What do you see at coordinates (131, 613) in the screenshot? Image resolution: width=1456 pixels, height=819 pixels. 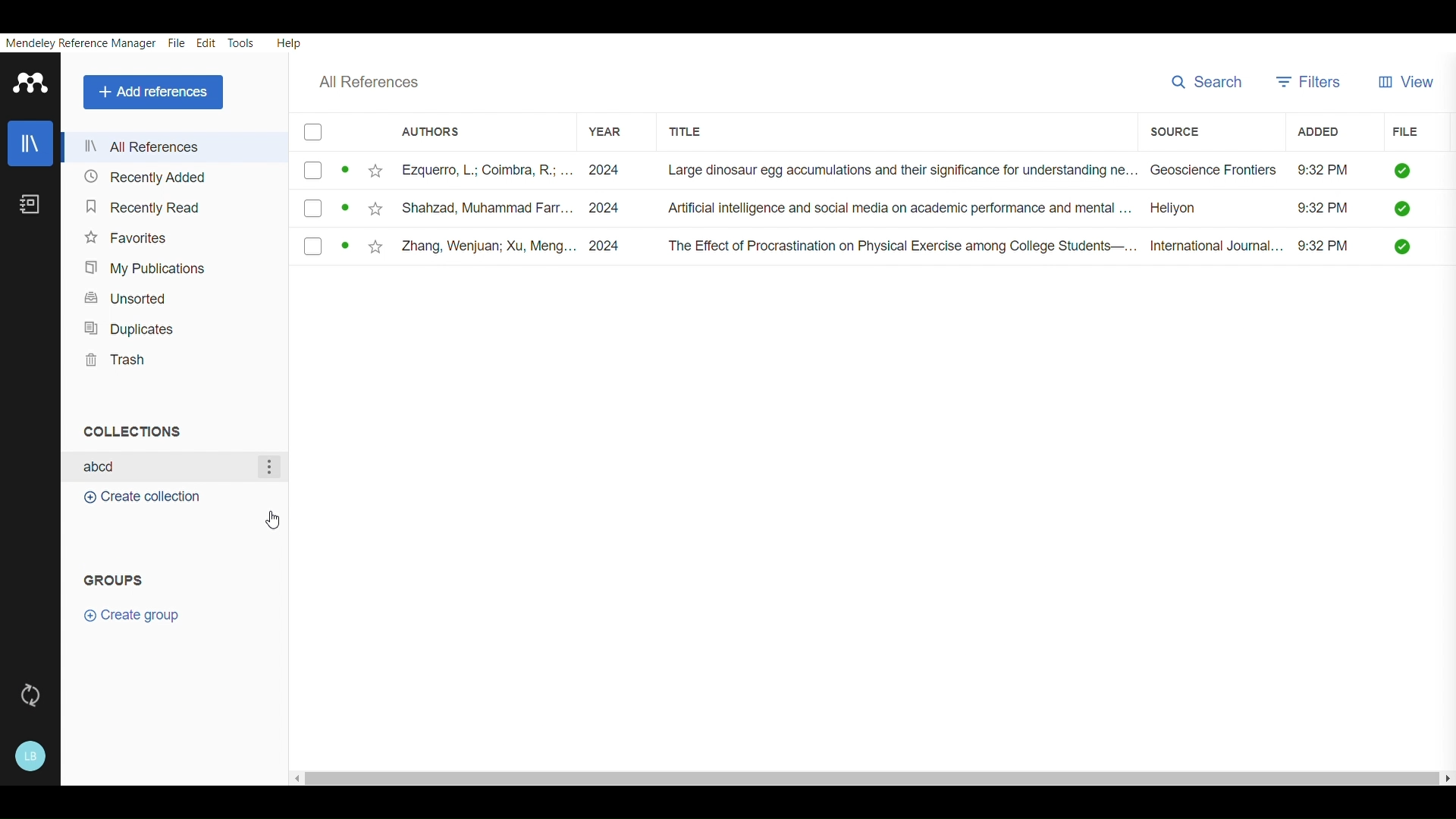 I see `Create group` at bounding box center [131, 613].